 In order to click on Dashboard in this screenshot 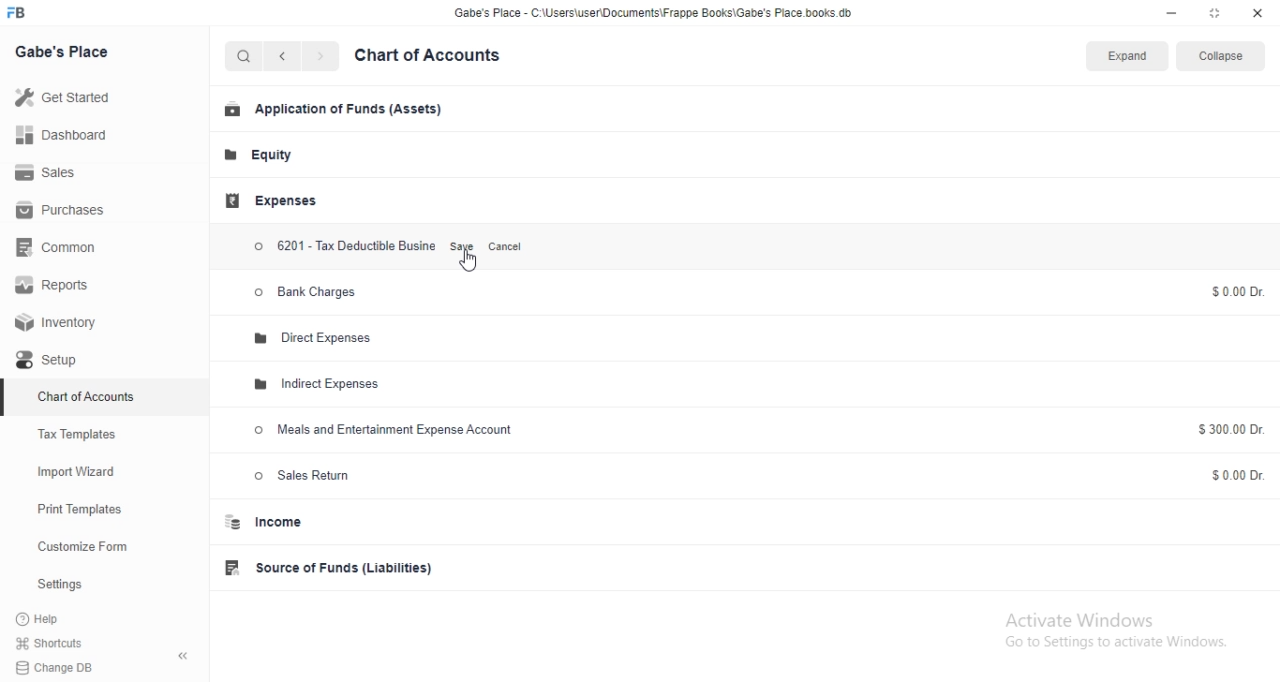, I will do `click(64, 137)`.